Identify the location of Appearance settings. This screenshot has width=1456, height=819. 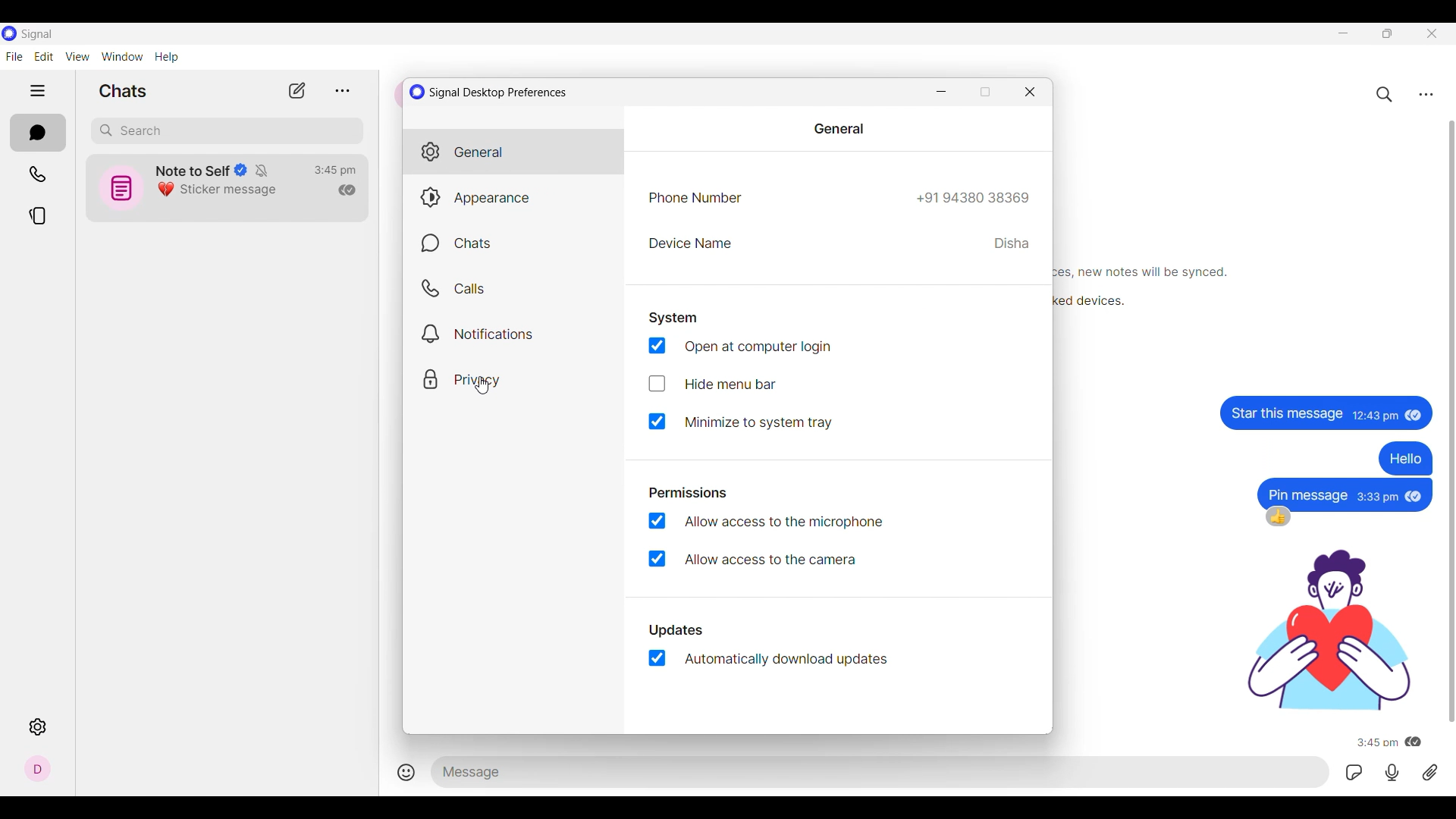
(514, 197).